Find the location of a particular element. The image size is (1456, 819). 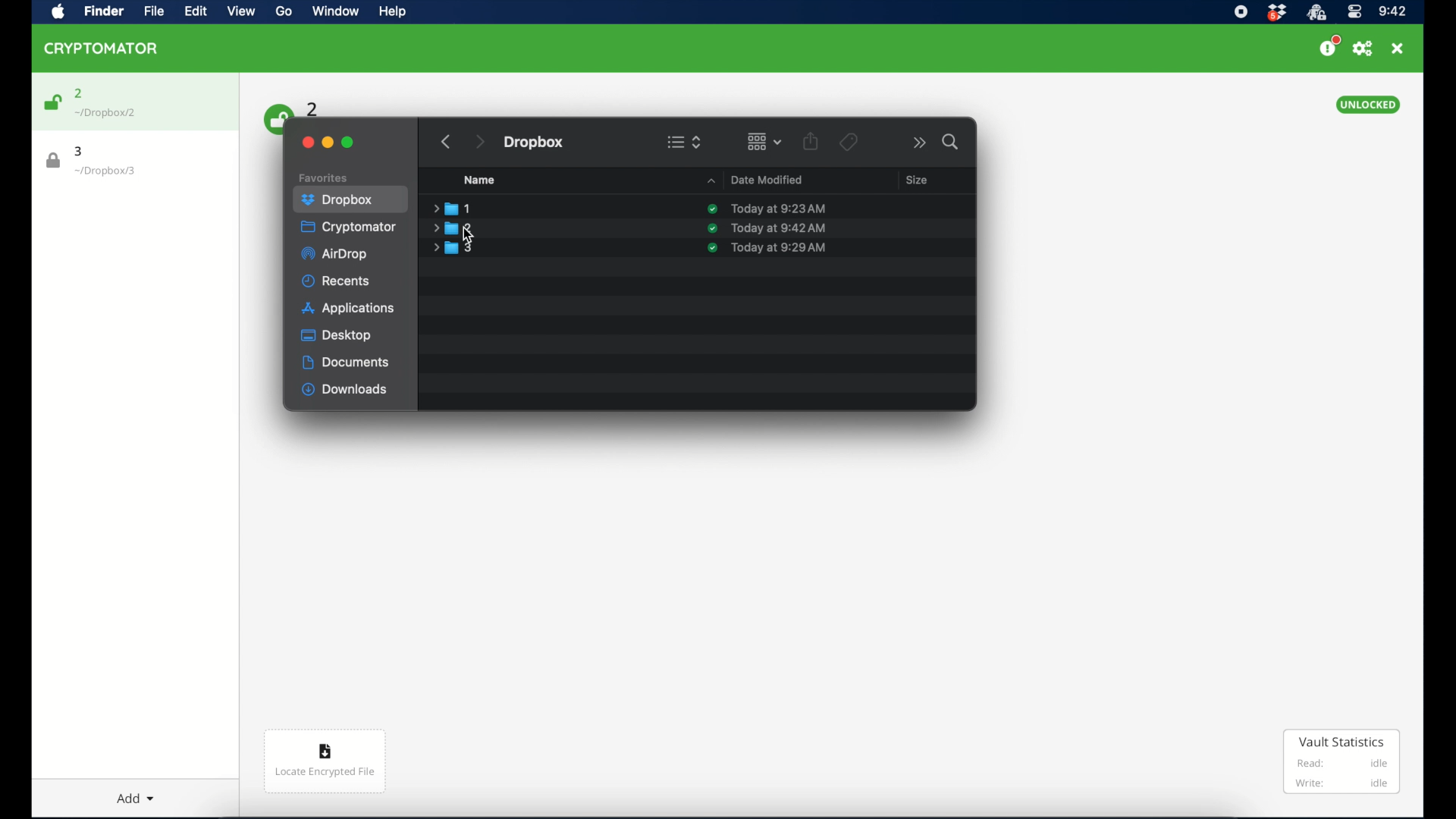

airdrop is located at coordinates (334, 254).